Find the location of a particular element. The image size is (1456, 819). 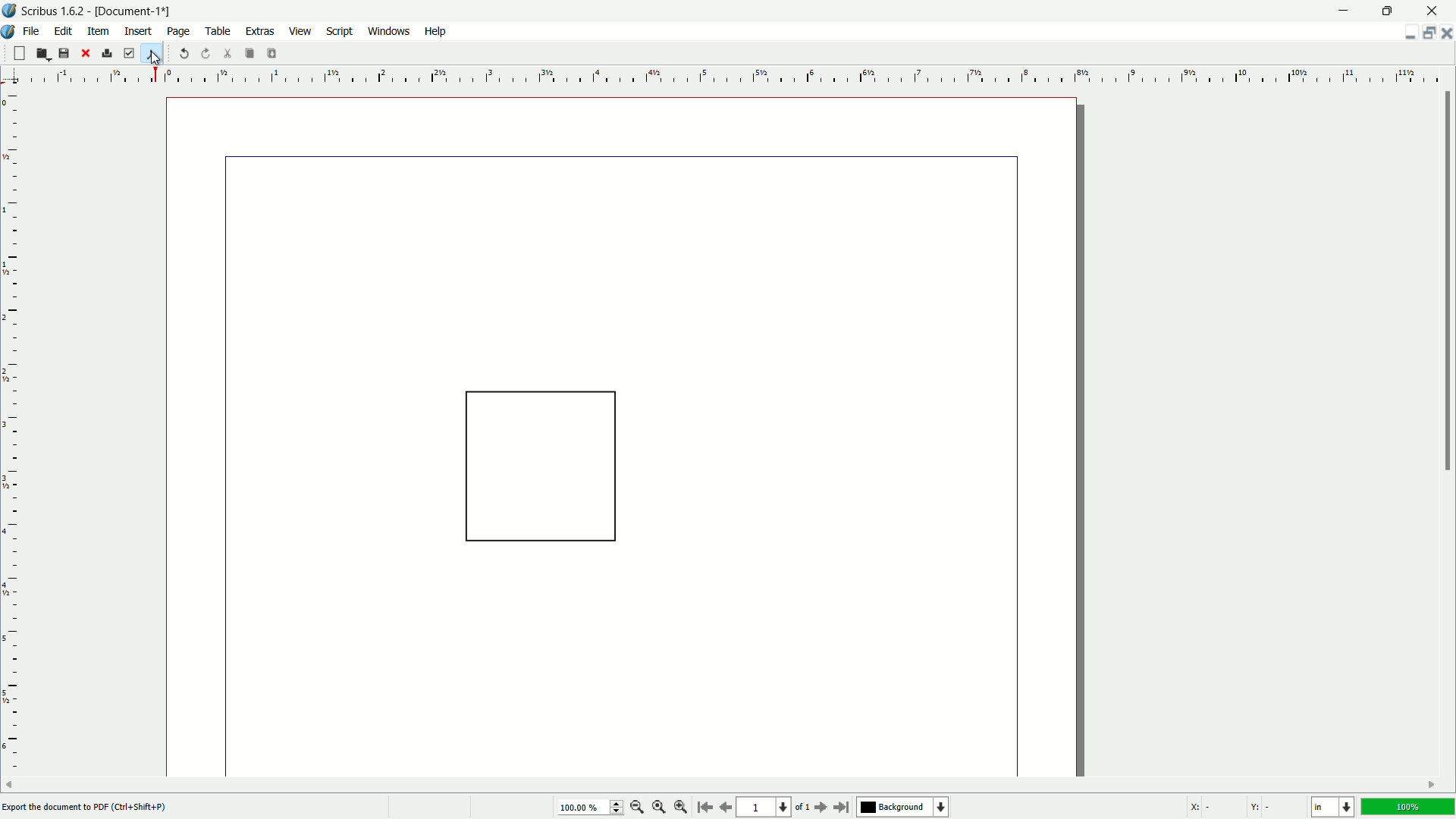

open file is located at coordinates (43, 53).